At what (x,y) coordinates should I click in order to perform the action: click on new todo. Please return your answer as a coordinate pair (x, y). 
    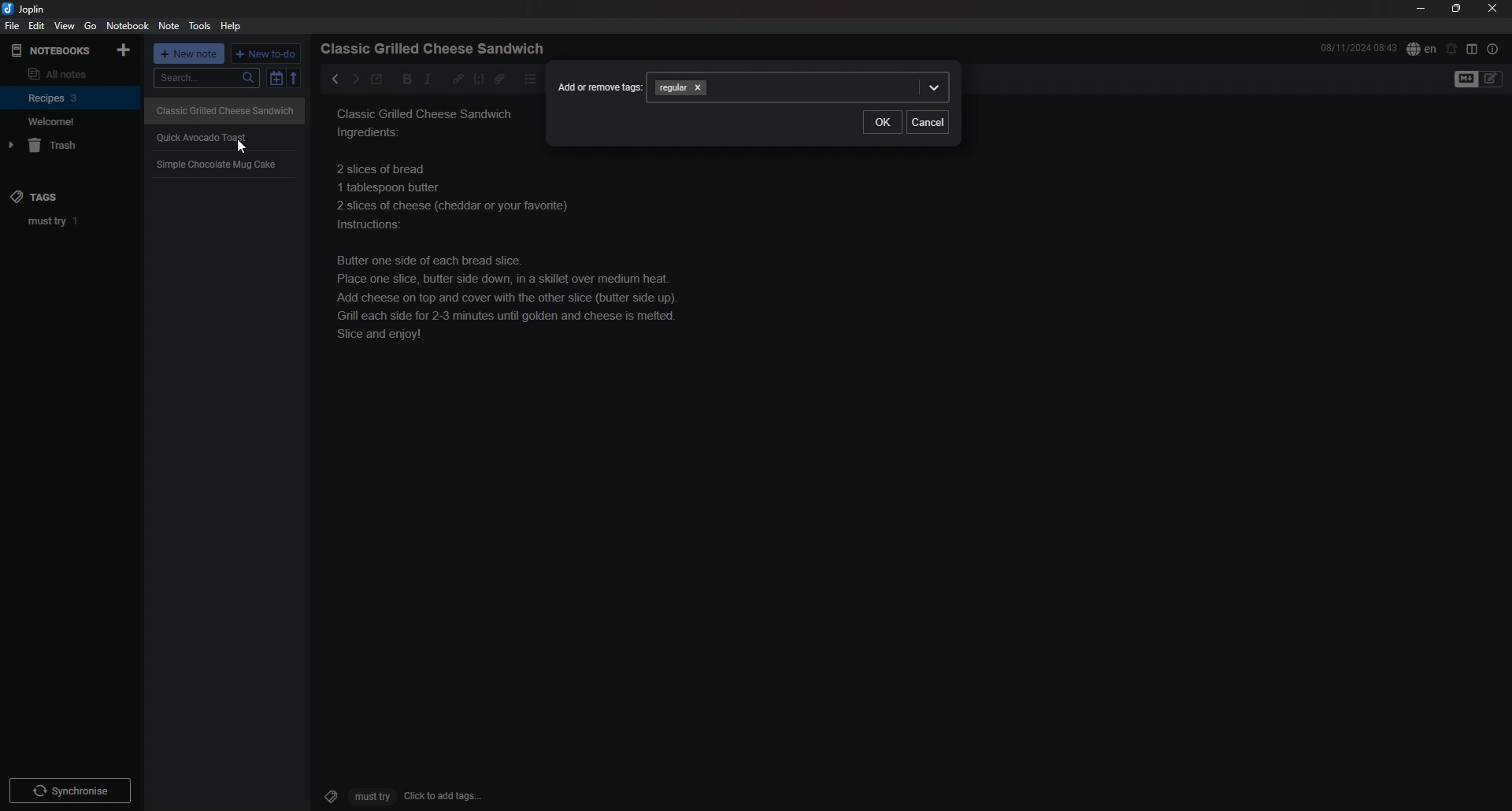
    Looking at the image, I should click on (267, 54).